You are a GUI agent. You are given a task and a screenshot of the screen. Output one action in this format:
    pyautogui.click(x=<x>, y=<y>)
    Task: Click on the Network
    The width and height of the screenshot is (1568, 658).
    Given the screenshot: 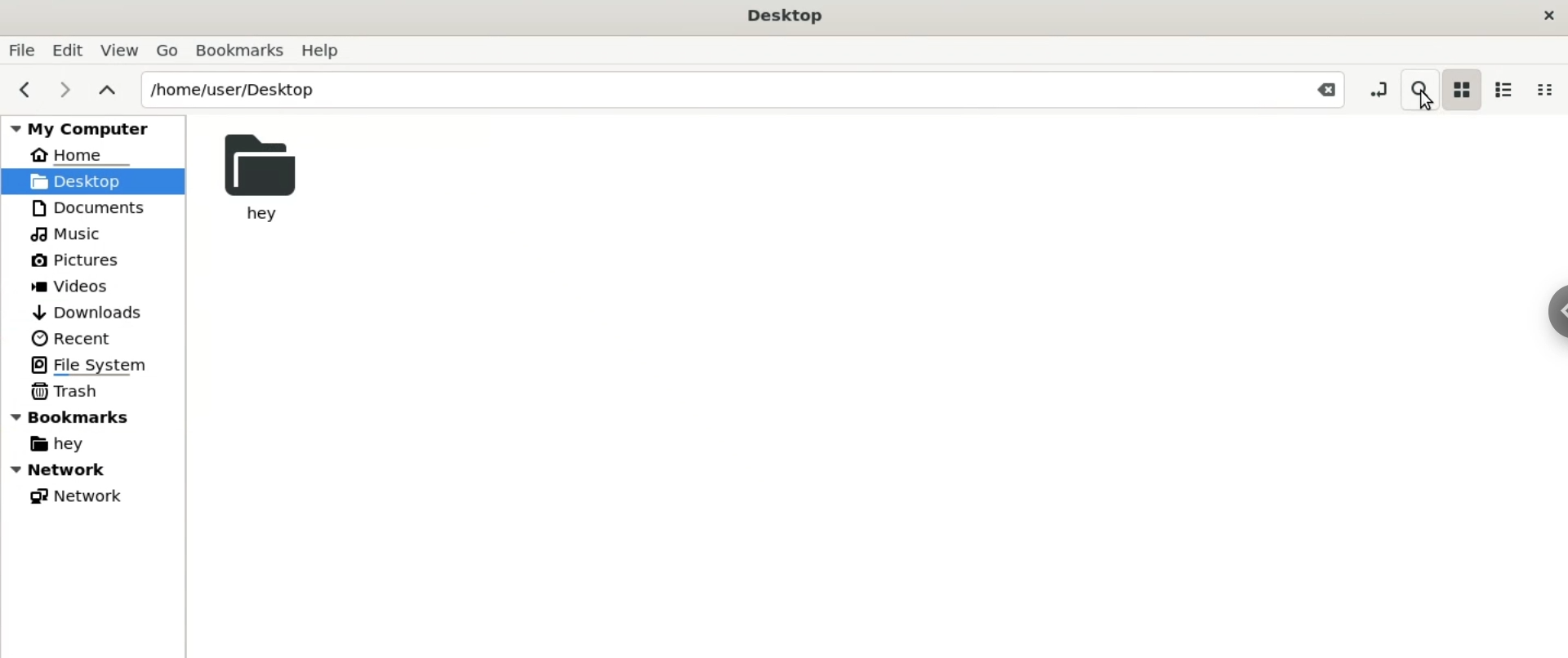 What is the action you would take?
    pyautogui.click(x=73, y=494)
    